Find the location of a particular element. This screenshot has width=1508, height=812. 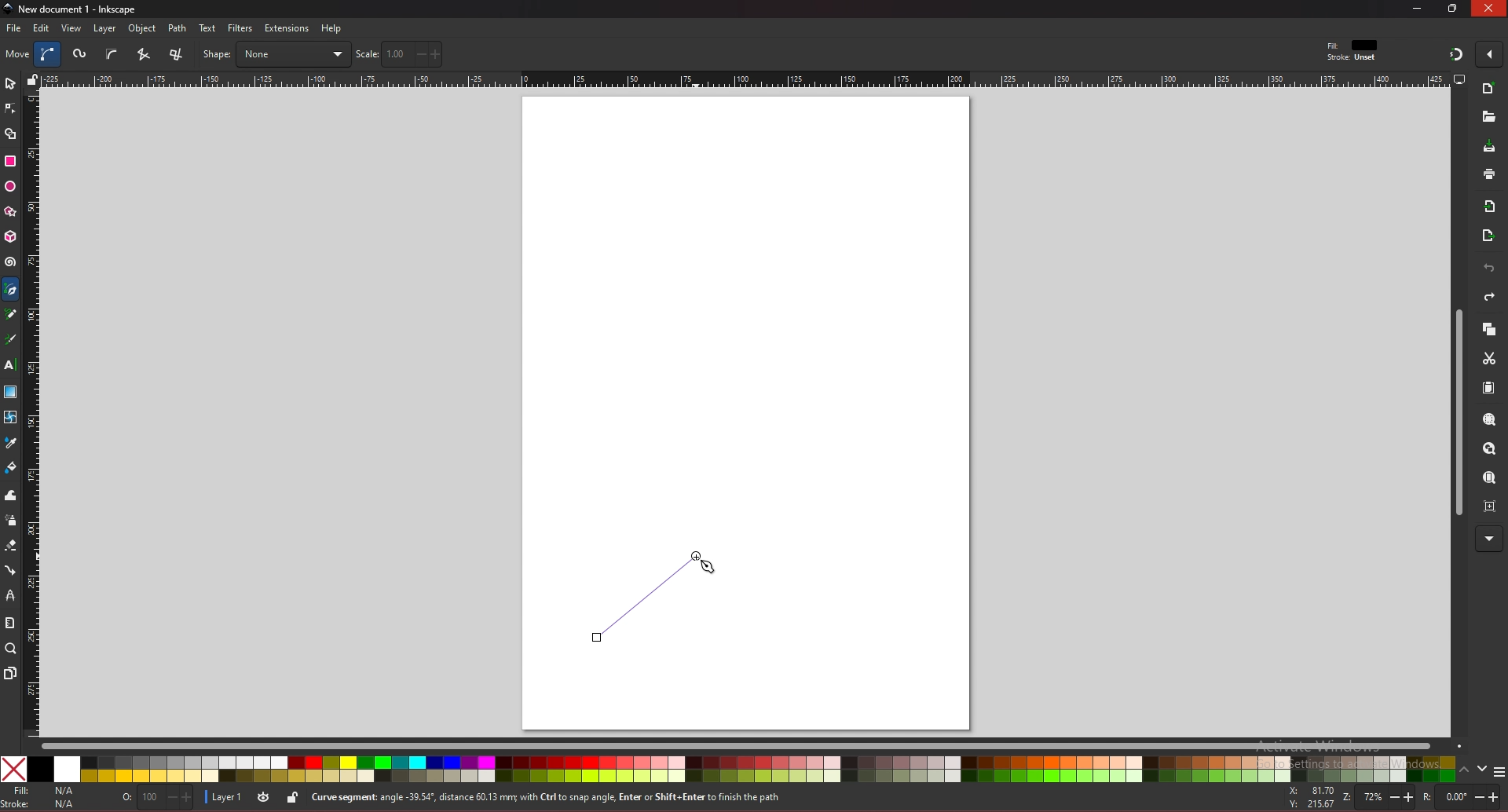

more is located at coordinates (1489, 540).